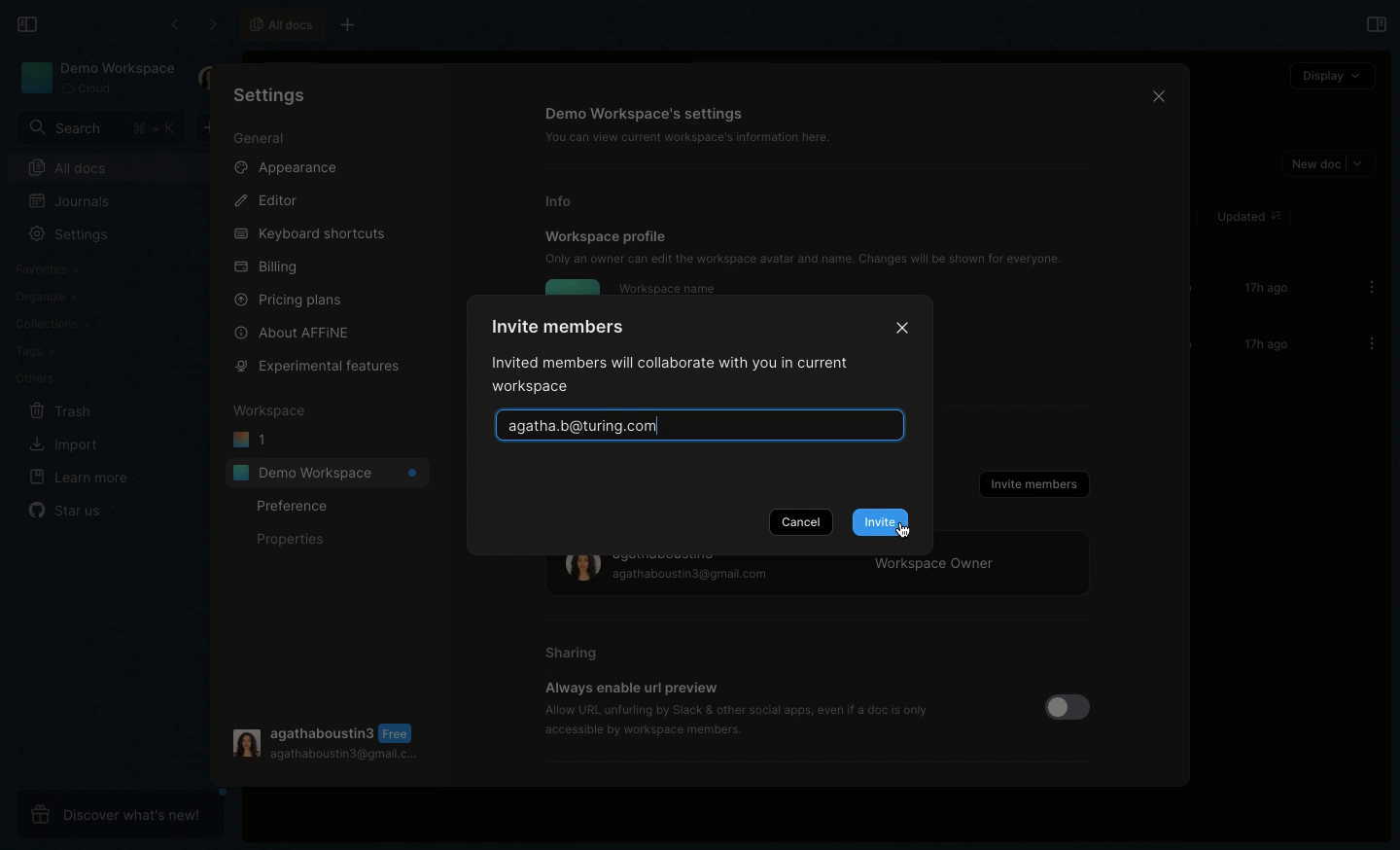  Describe the element at coordinates (738, 709) in the screenshot. I see `‘Allow URL unfurling by Slack & other social apps, even if a doc is only` at that location.